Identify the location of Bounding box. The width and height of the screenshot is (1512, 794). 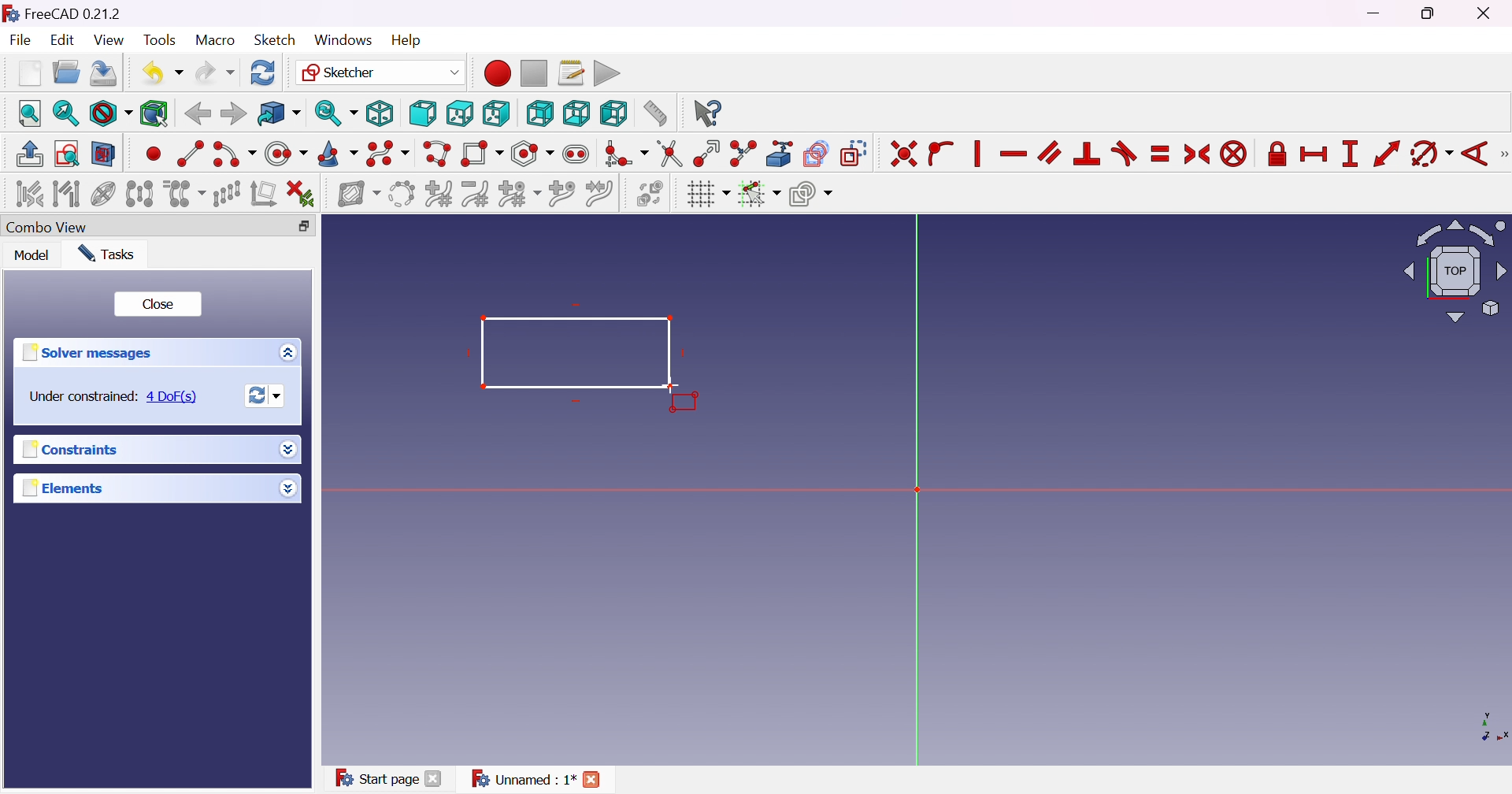
(155, 115).